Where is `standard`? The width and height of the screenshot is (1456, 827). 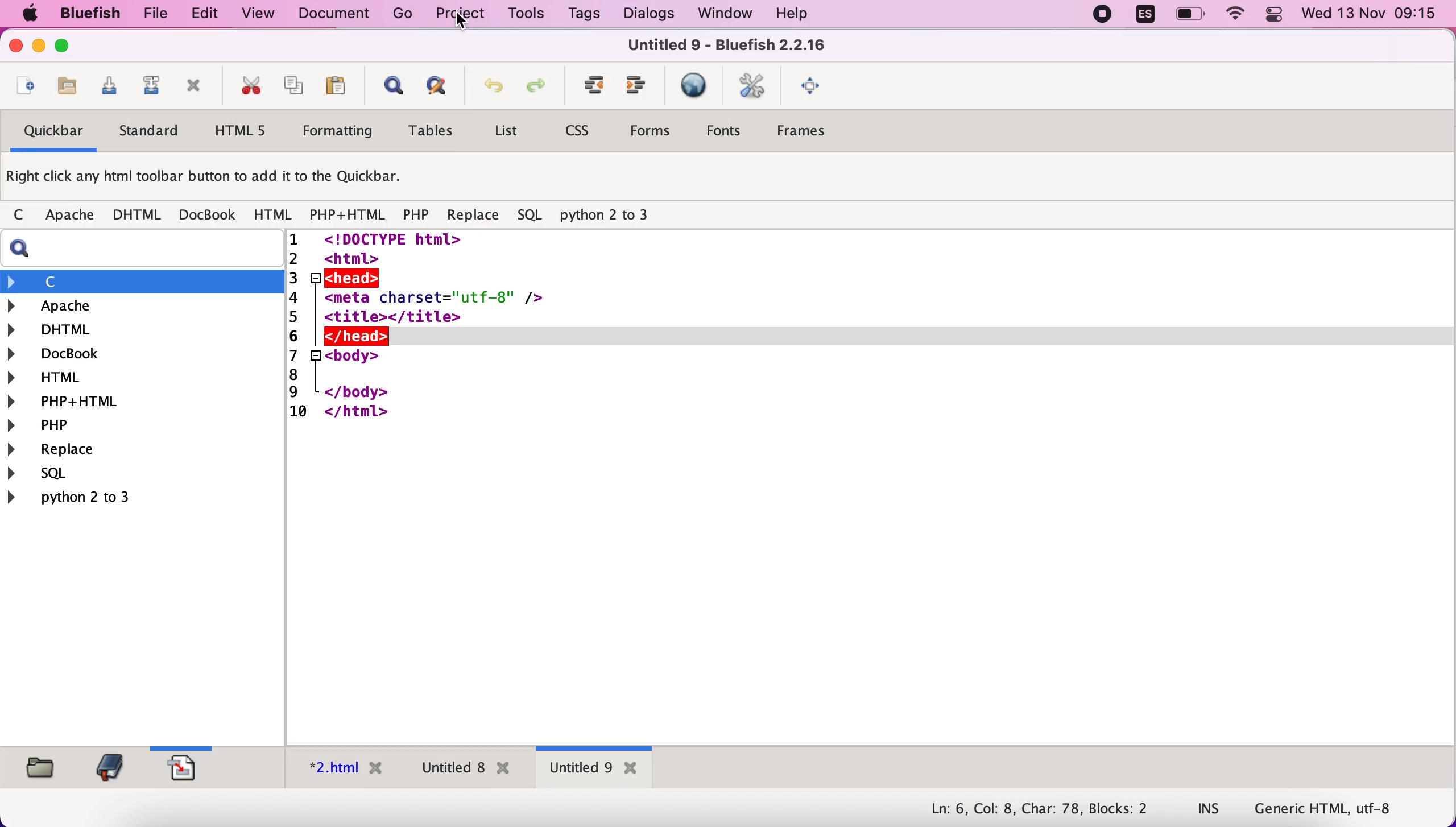
standard is located at coordinates (150, 134).